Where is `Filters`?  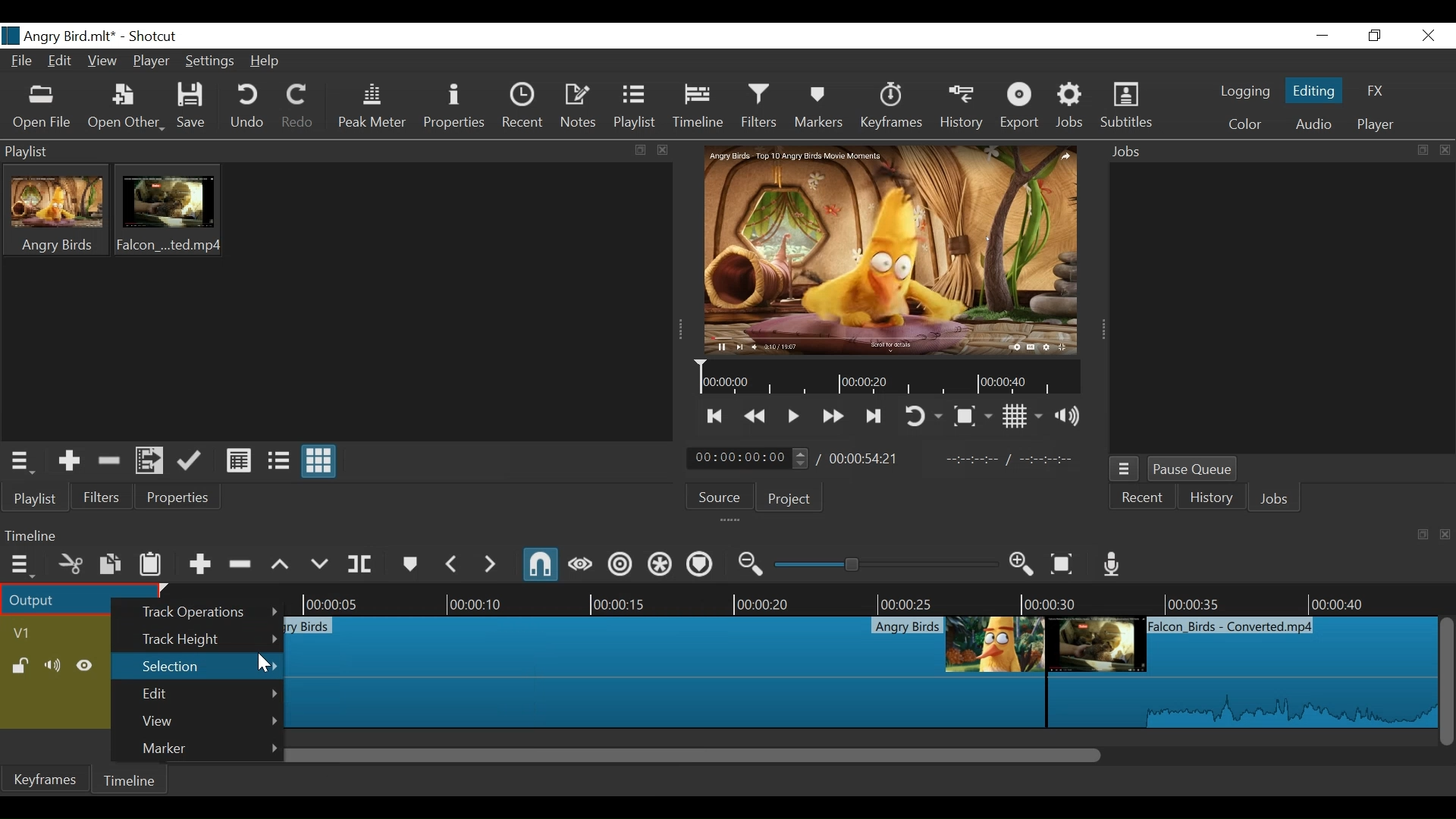 Filters is located at coordinates (759, 106).